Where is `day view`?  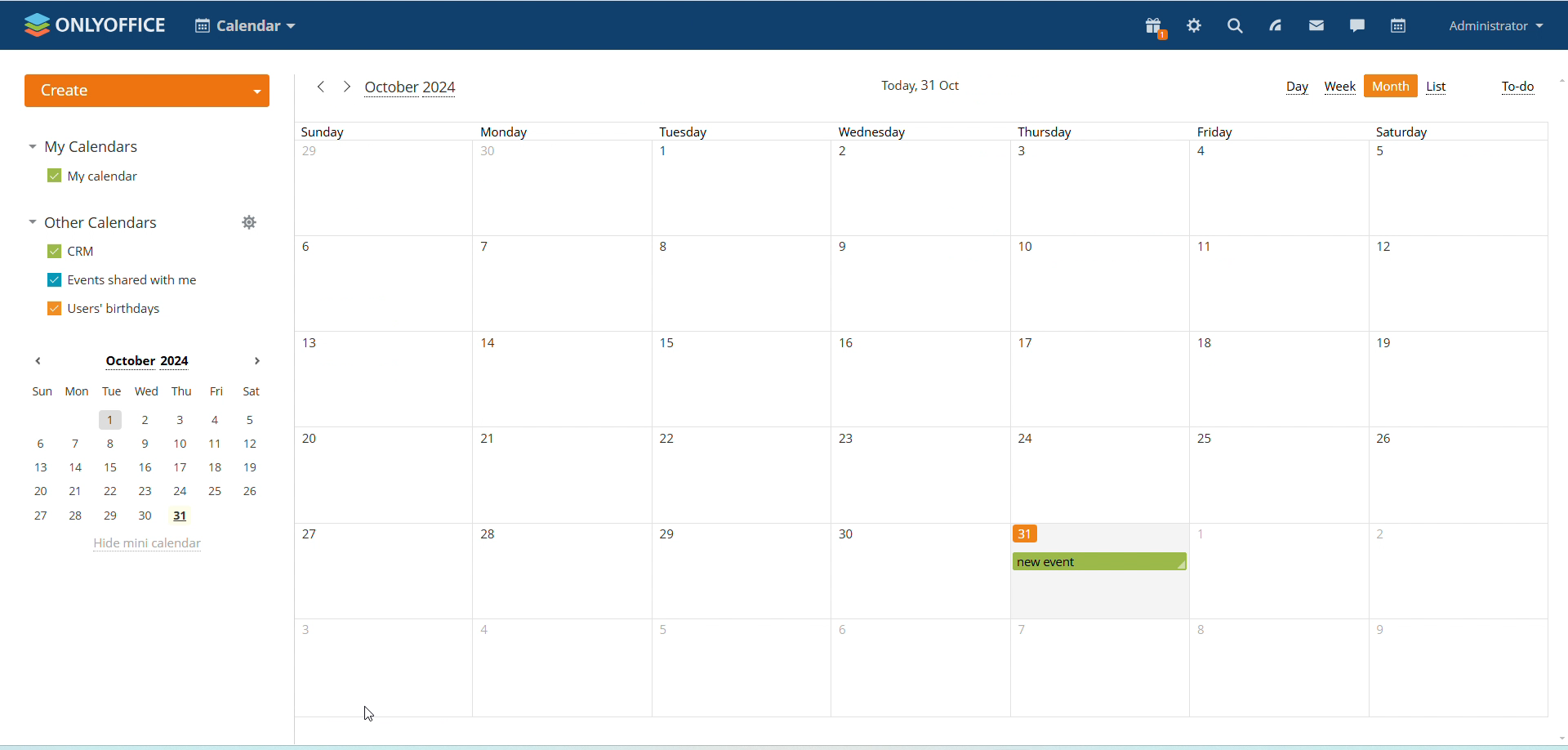 day view is located at coordinates (1296, 87).